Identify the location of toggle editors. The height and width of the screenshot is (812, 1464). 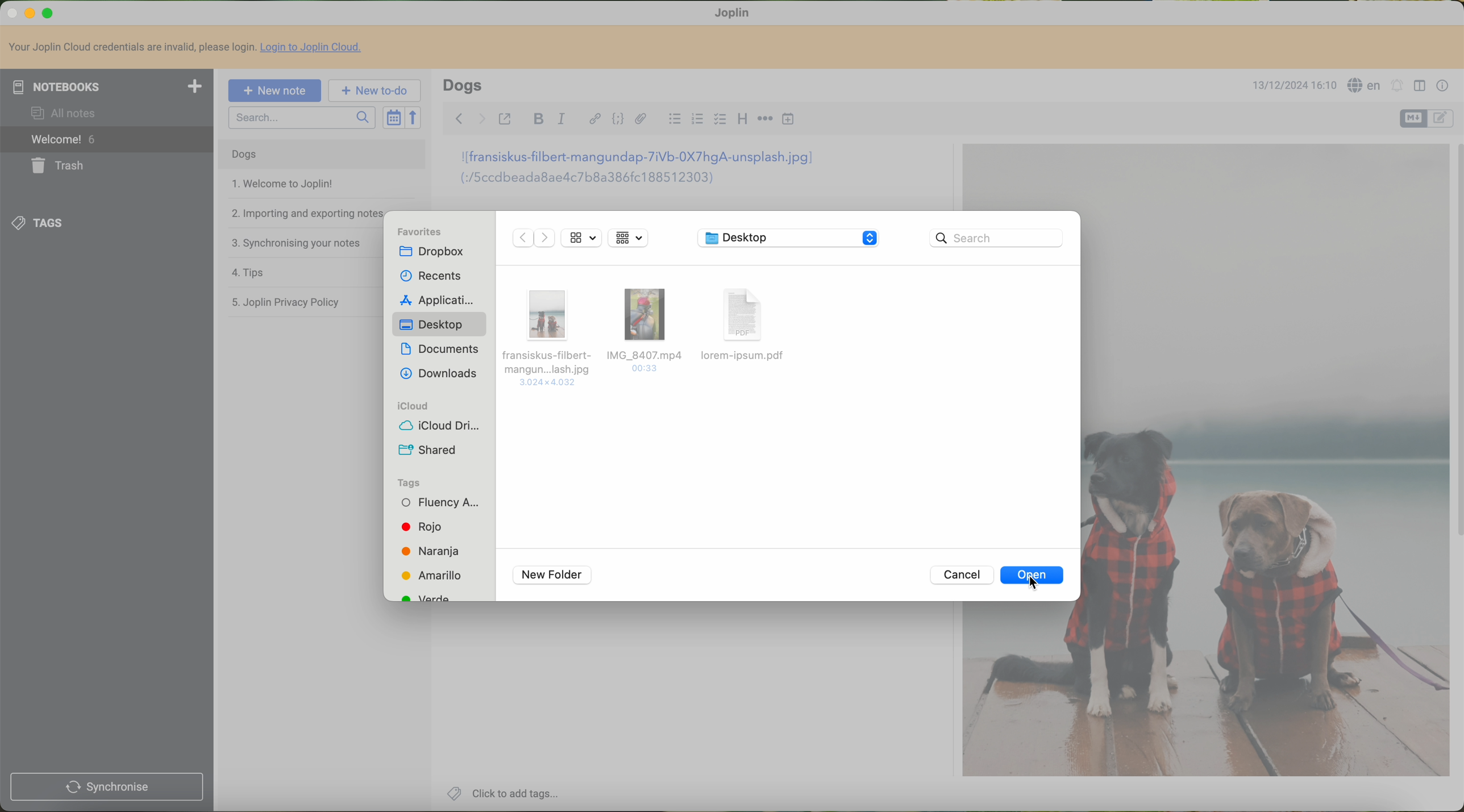
(1442, 118).